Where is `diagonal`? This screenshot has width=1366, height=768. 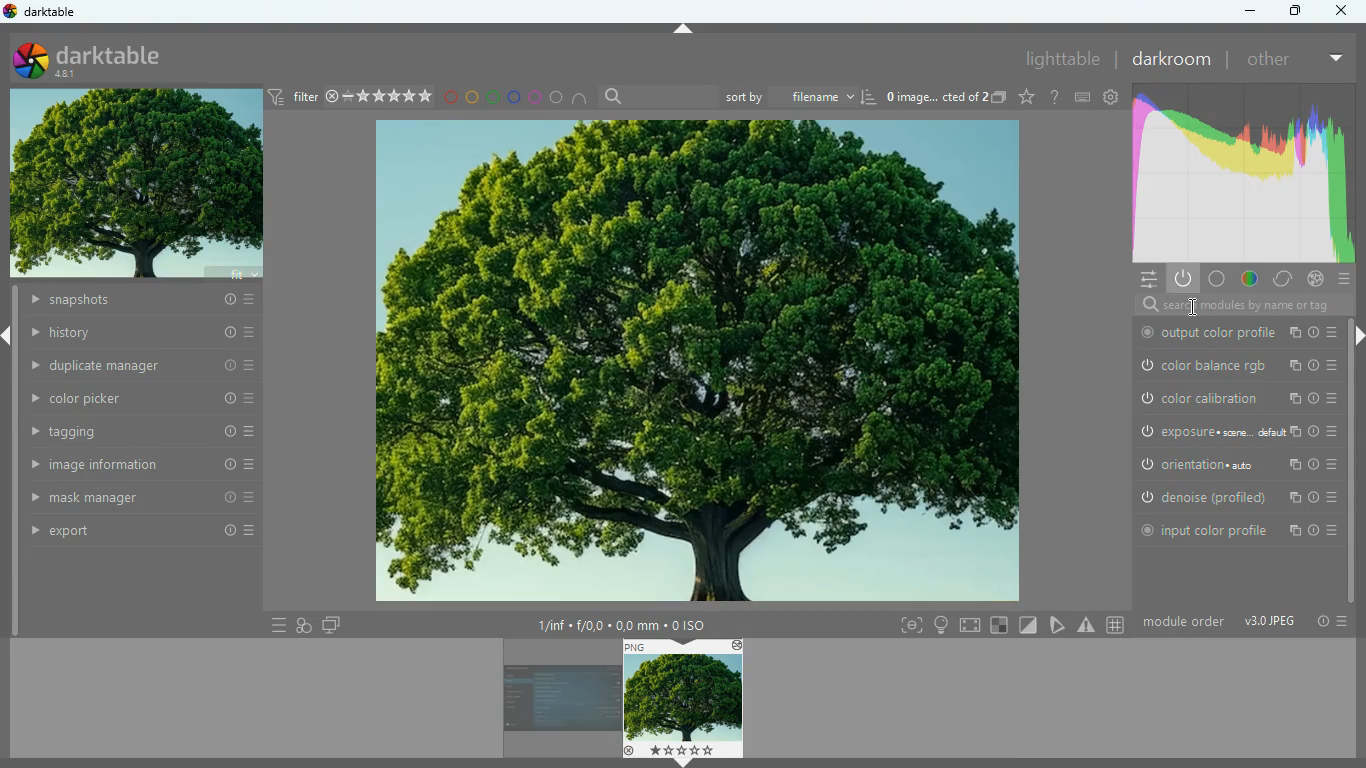
diagonal is located at coordinates (1028, 626).